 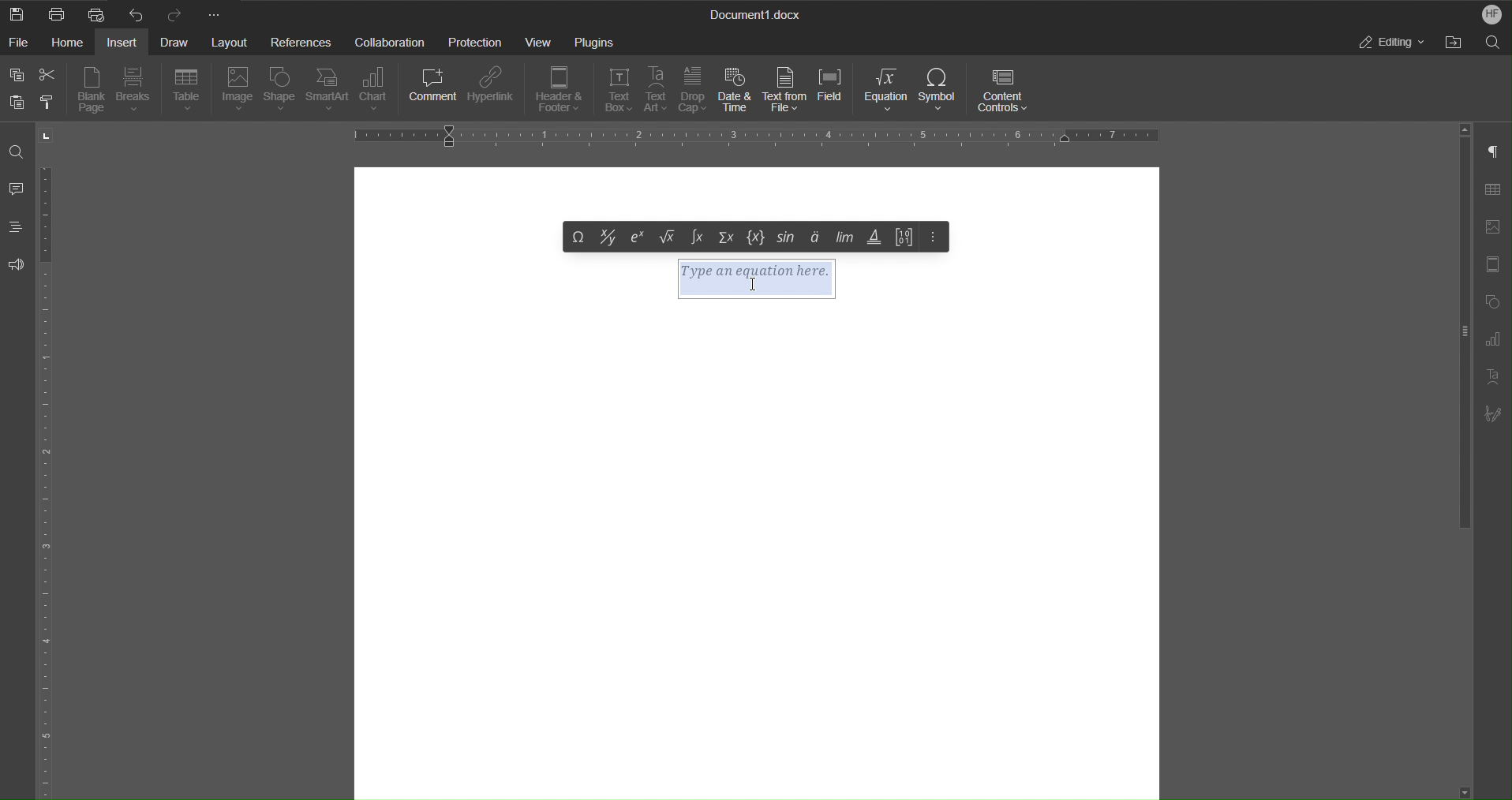 What do you see at coordinates (657, 92) in the screenshot?
I see `Text Art` at bounding box center [657, 92].